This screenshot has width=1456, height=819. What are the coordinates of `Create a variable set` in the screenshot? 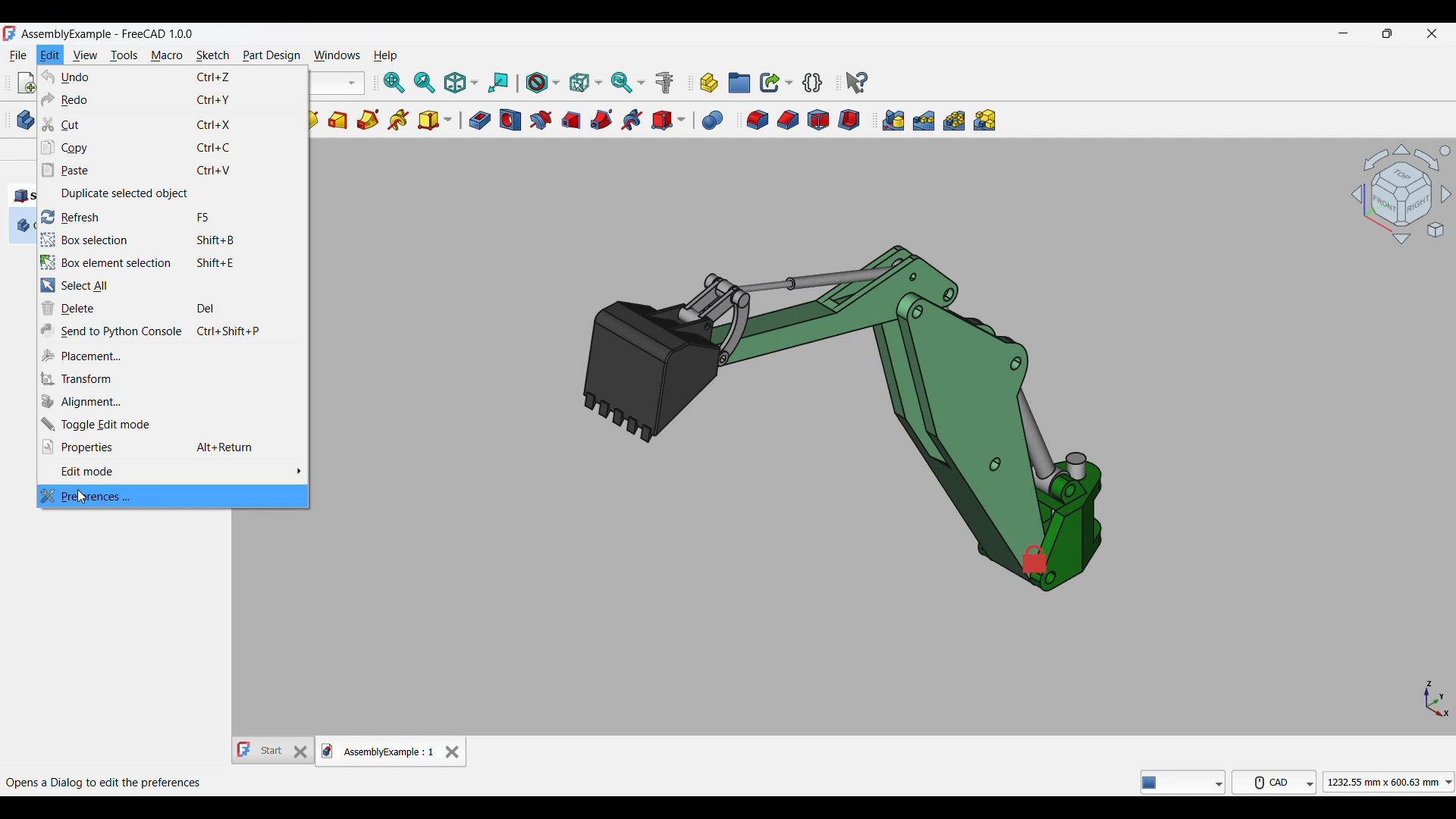 It's located at (813, 82).